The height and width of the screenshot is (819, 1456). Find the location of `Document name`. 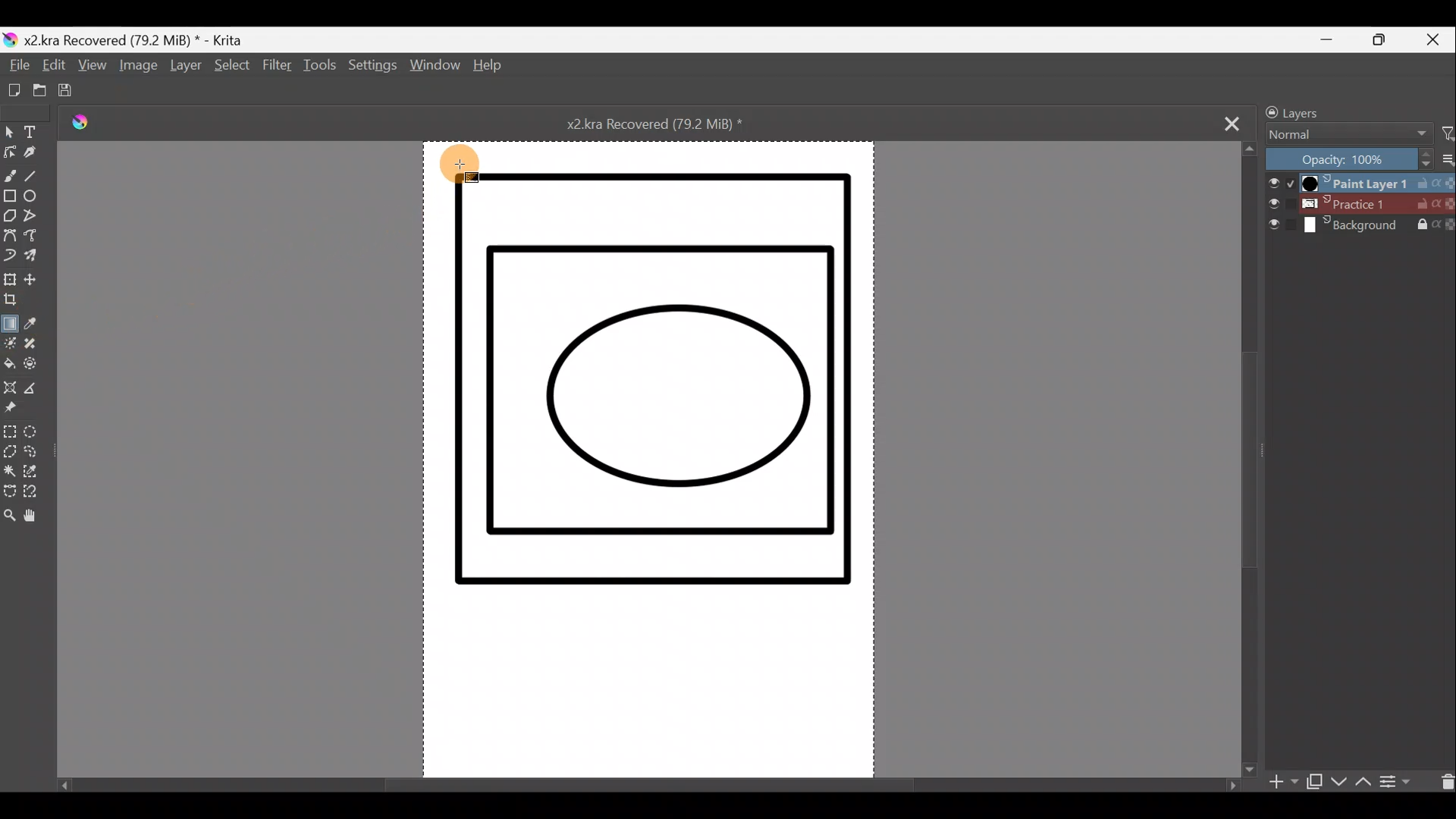

Document name is located at coordinates (670, 123).